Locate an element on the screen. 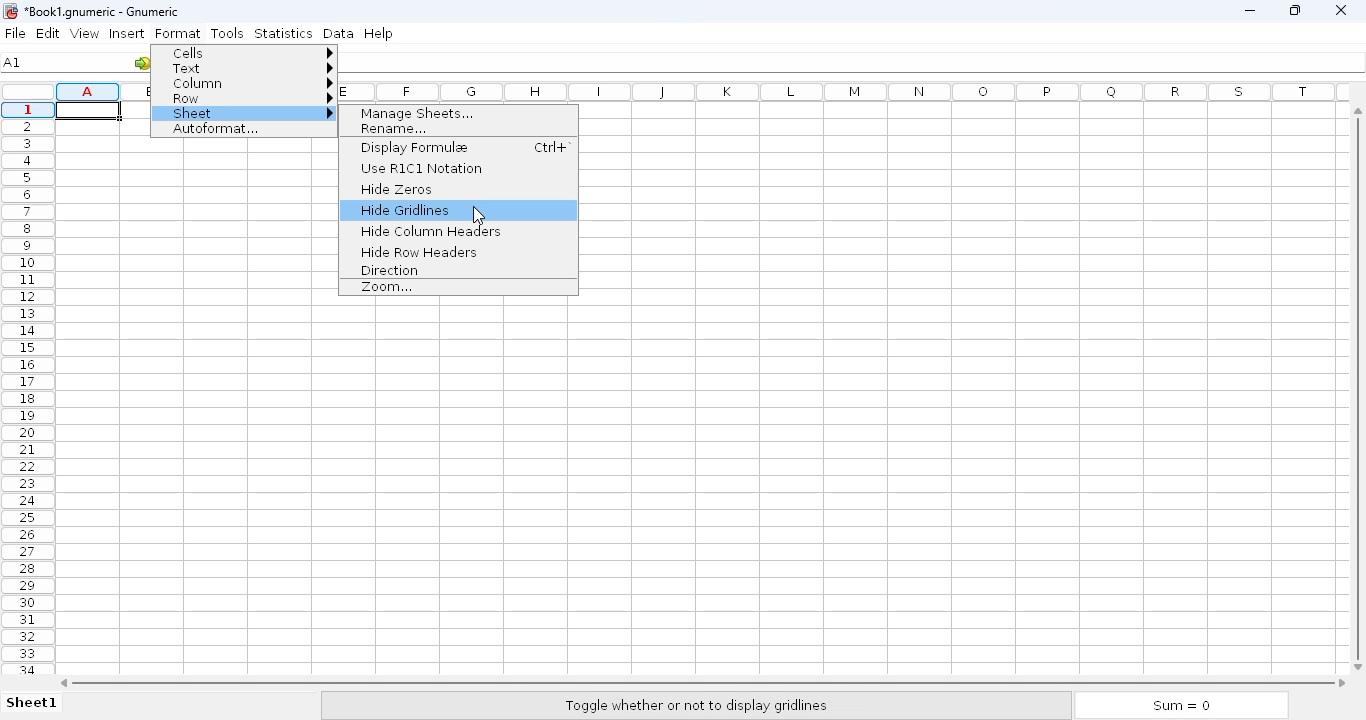 The height and width of the screenshot is (720, 1366). rename is located at coordinates (396, 129).